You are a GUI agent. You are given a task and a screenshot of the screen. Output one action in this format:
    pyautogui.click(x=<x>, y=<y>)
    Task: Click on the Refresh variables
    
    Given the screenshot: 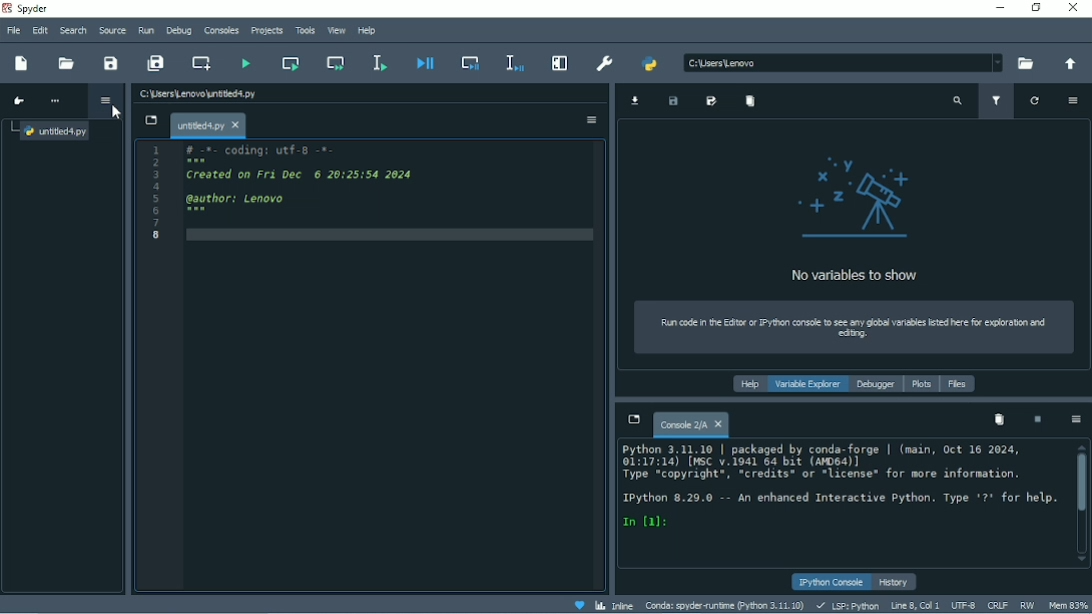 What is the action you would take?
    pyautogui.click(x=1035, y=102)
    